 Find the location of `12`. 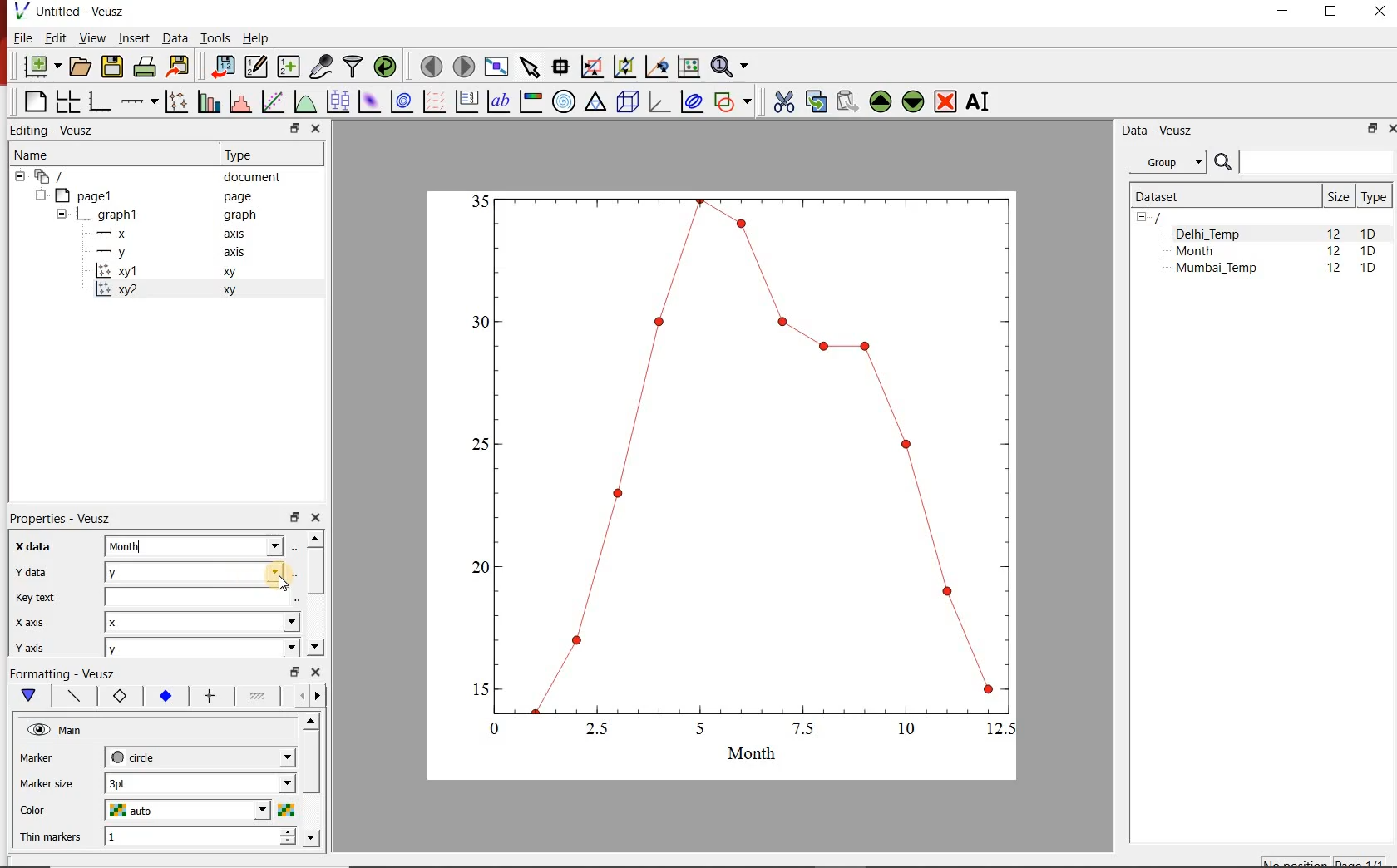

12 is located at coordinates (1335, 270).